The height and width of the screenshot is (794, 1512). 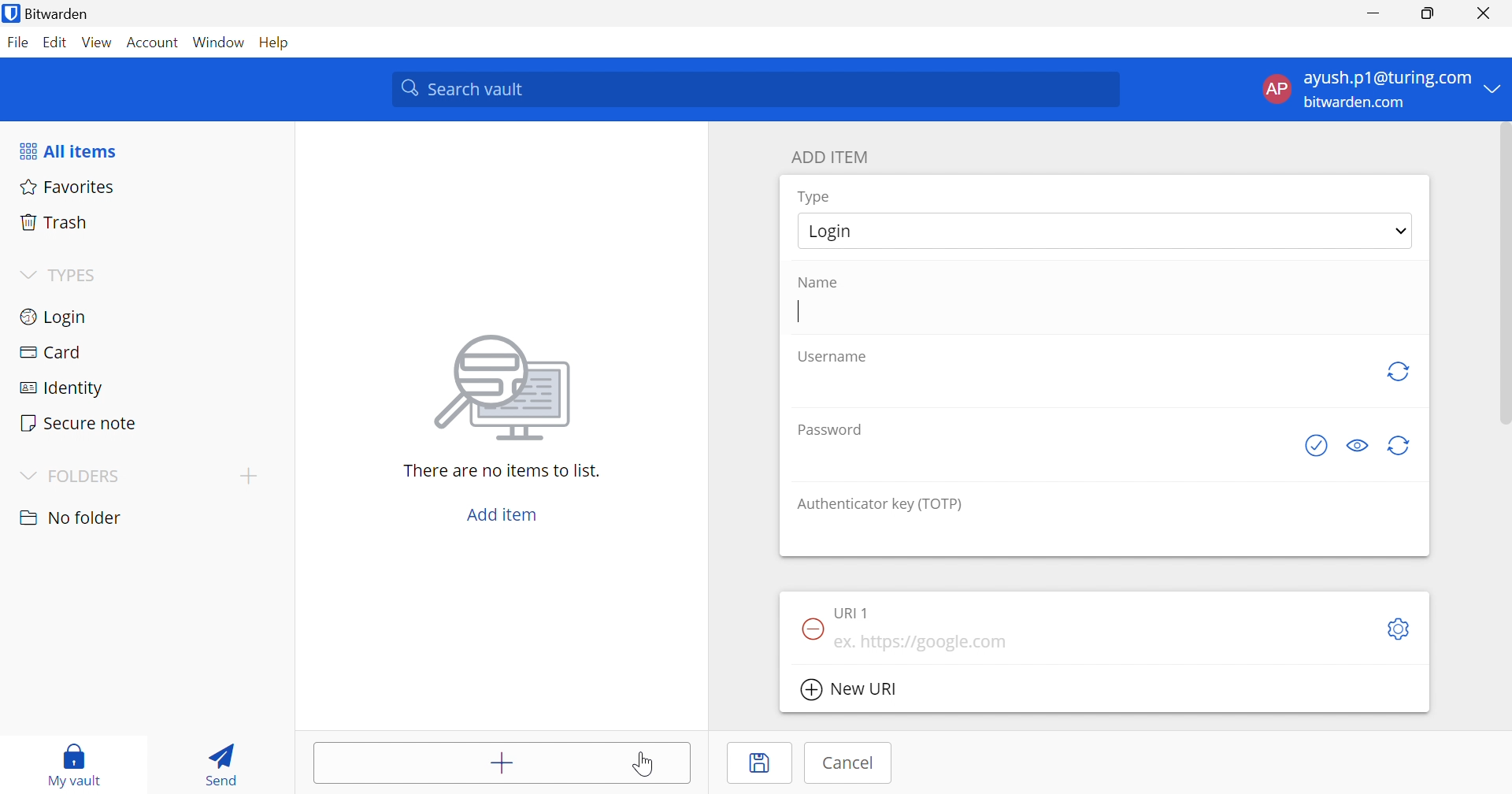 What do you see at coordinates (28, 275) in the screenshot?
I see `Drop Down` at bounding box center [28, 275].